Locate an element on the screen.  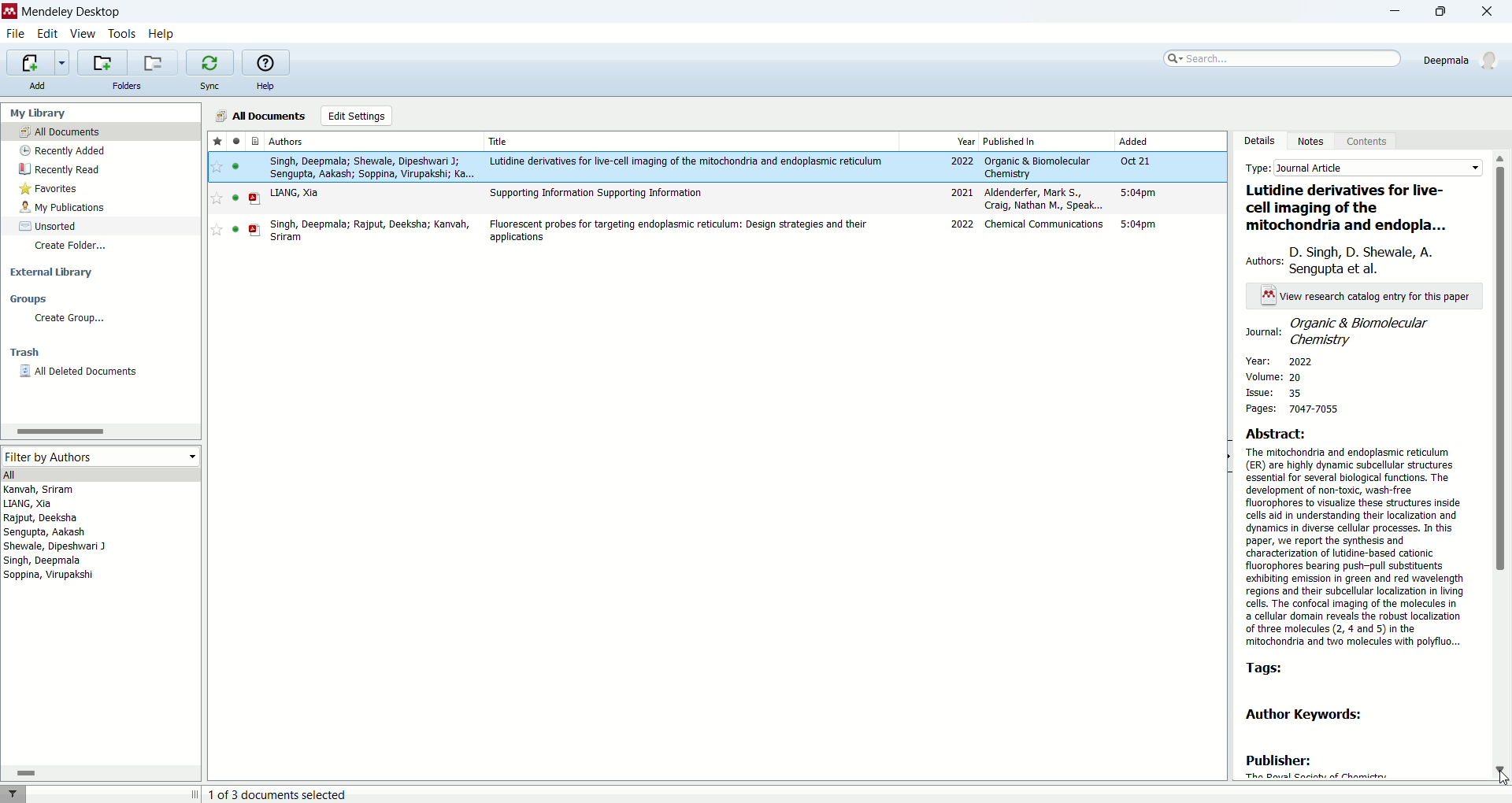
search is located at coordinates (1280, 58).